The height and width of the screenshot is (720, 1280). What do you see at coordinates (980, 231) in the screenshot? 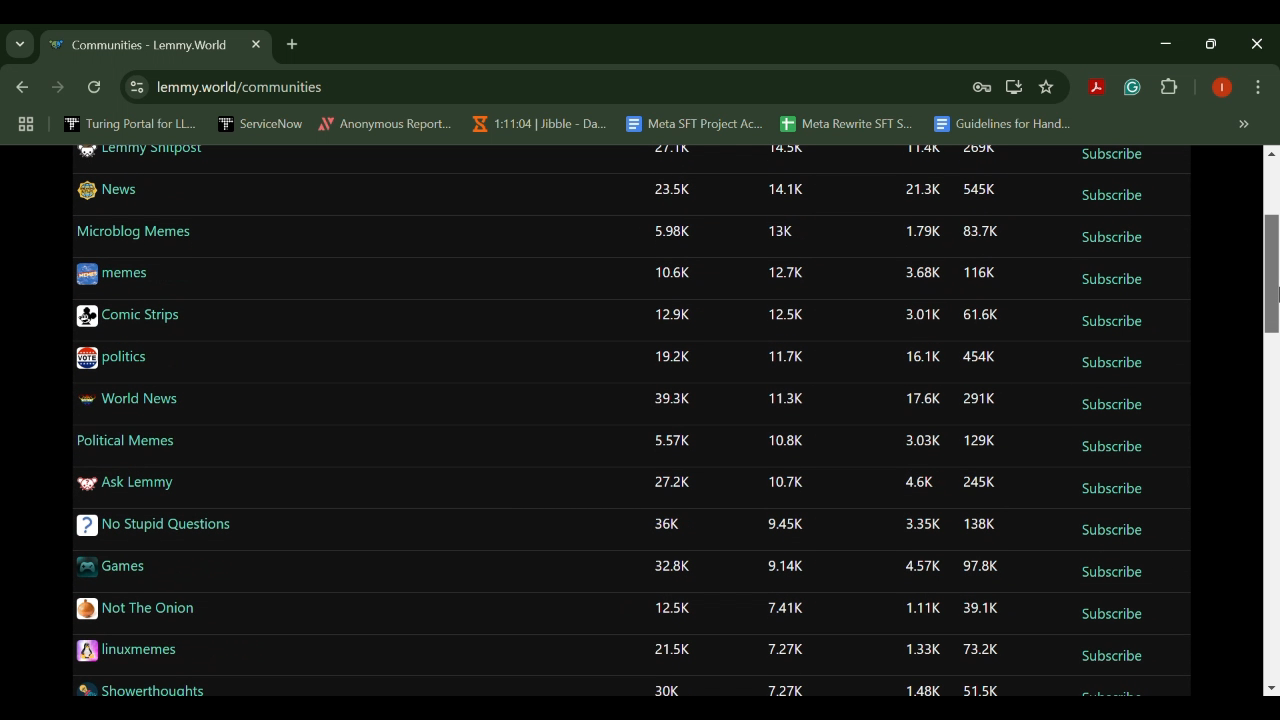
I see `83.7K` at bounding box center [980, 231].